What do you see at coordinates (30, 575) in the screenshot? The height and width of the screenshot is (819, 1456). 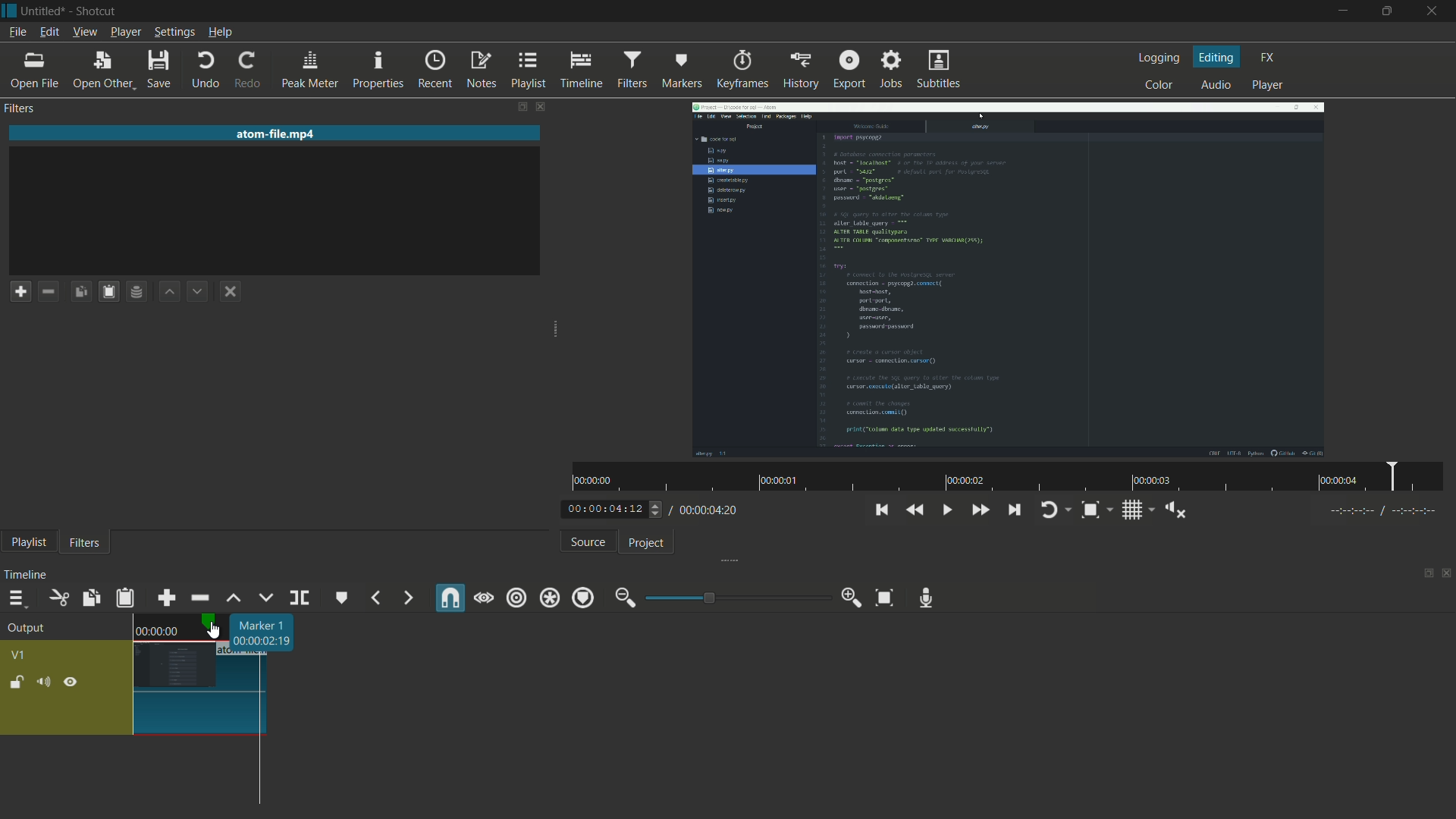 I see `timeline` at bounding box center [30, 575].